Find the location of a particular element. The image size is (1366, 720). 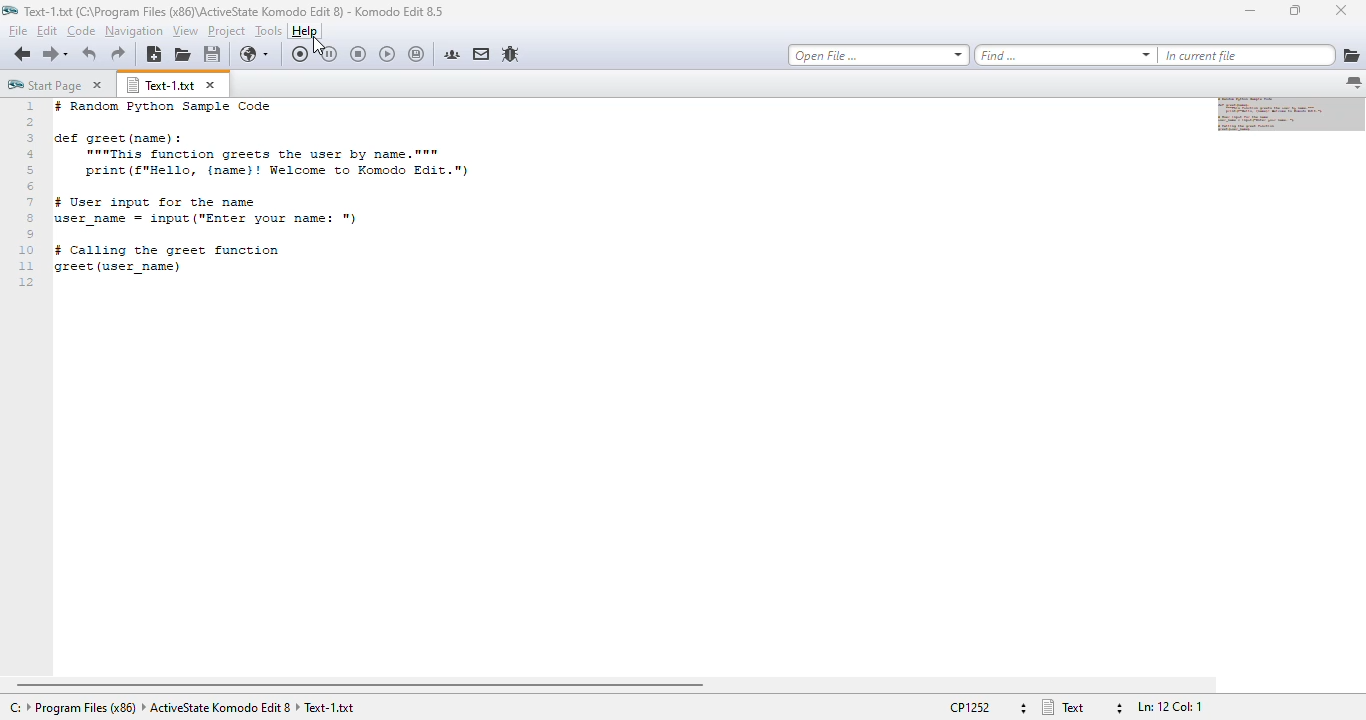

maximize is located at coordinates (1295, 10).